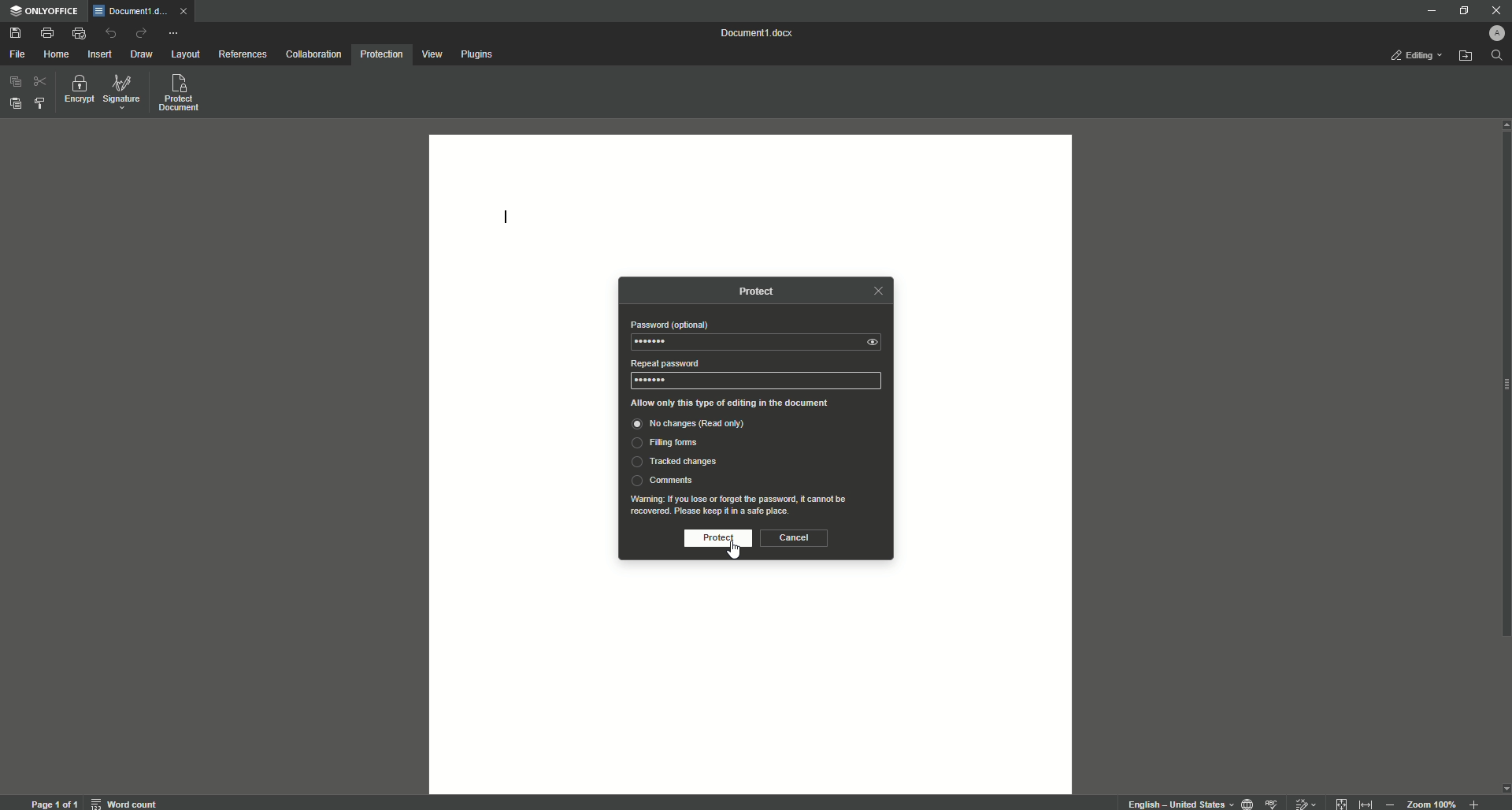 The image size is (1512, 810). What do you see at coordinates (1303, 801) in the screenshot?
I see `track changes` at bounding box center [1303, 801].